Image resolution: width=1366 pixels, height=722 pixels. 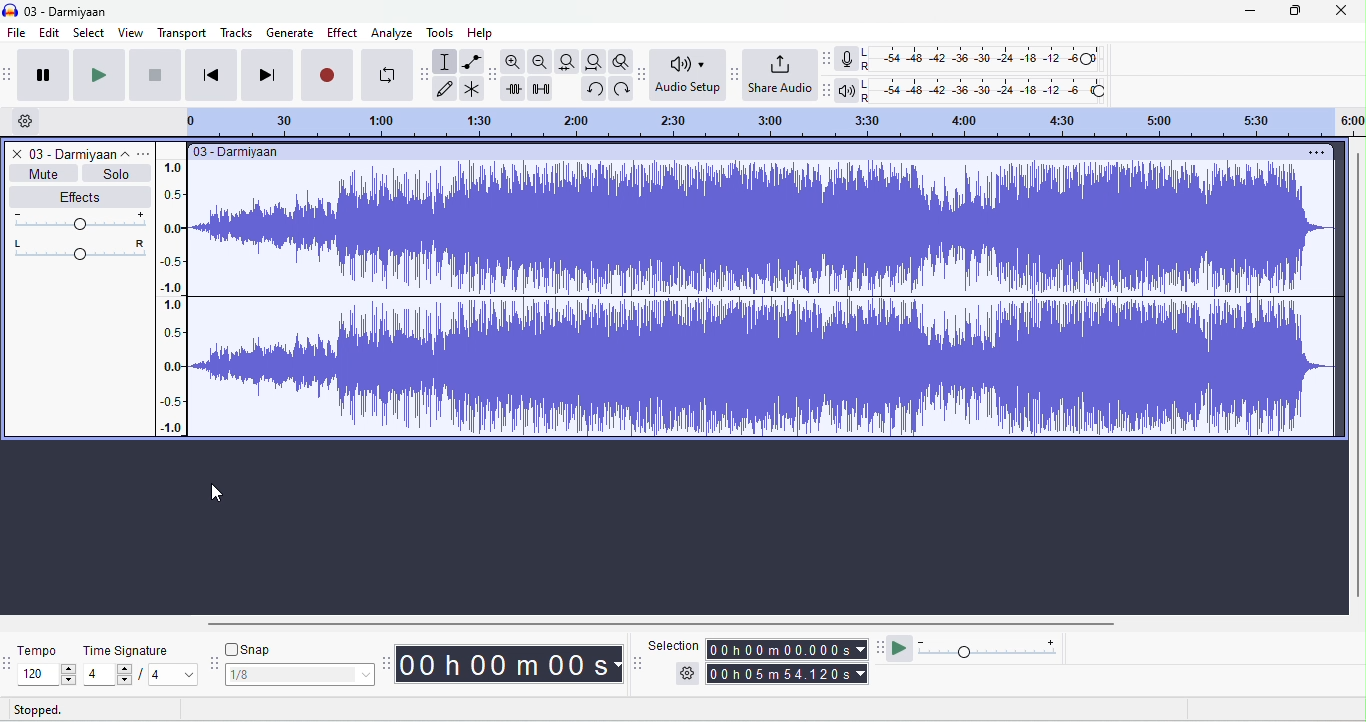 What do you see at coordinates (43, 75) in the screenshot?
I see `pause` at bounding box center [43, 75].